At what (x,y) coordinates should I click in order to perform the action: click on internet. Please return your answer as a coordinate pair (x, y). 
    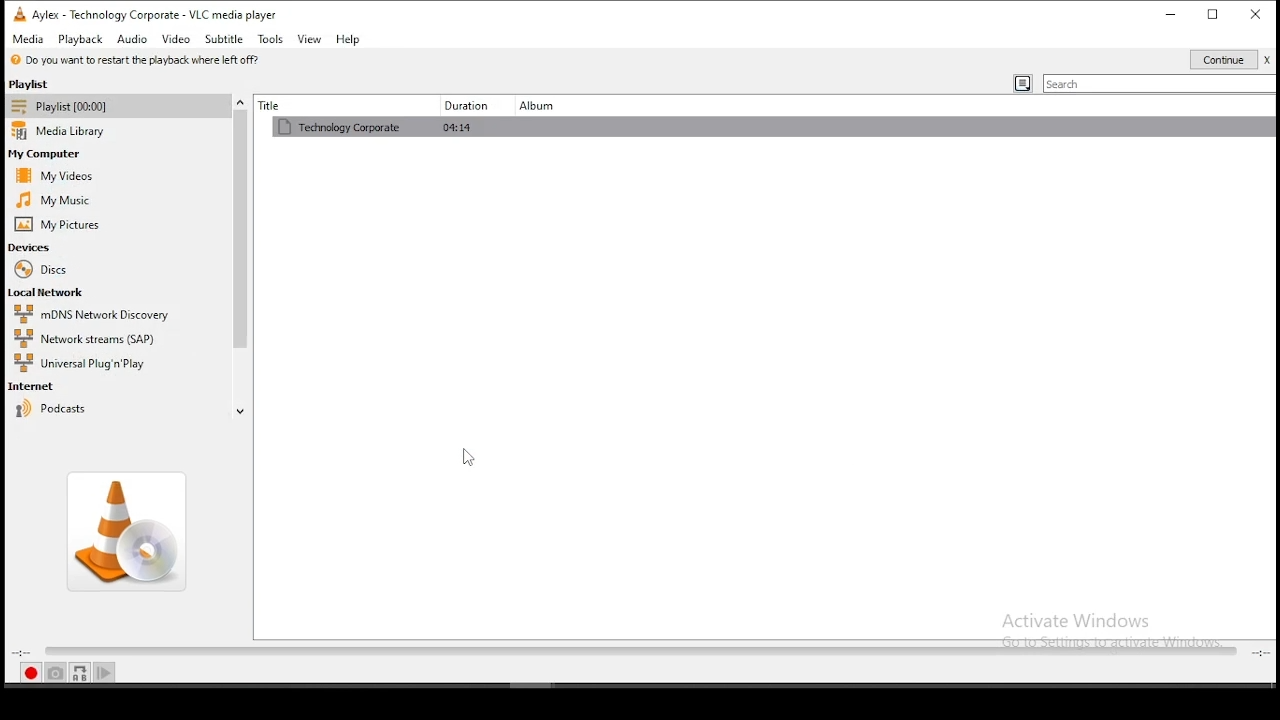
    Looking at the image, I should click on (35, 384).